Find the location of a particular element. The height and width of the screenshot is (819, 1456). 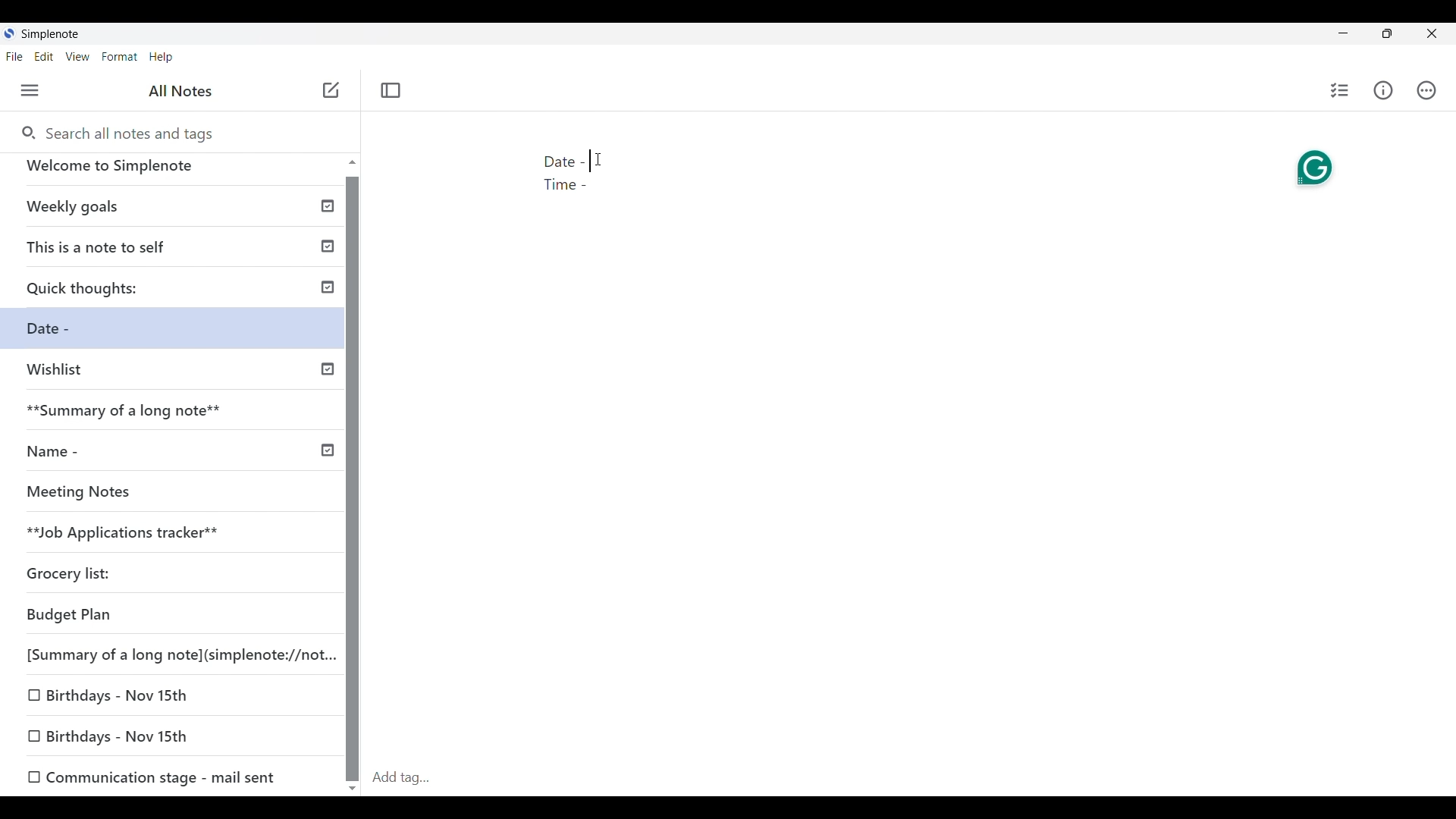

Unpublished note is located at coordinates (177, 376).